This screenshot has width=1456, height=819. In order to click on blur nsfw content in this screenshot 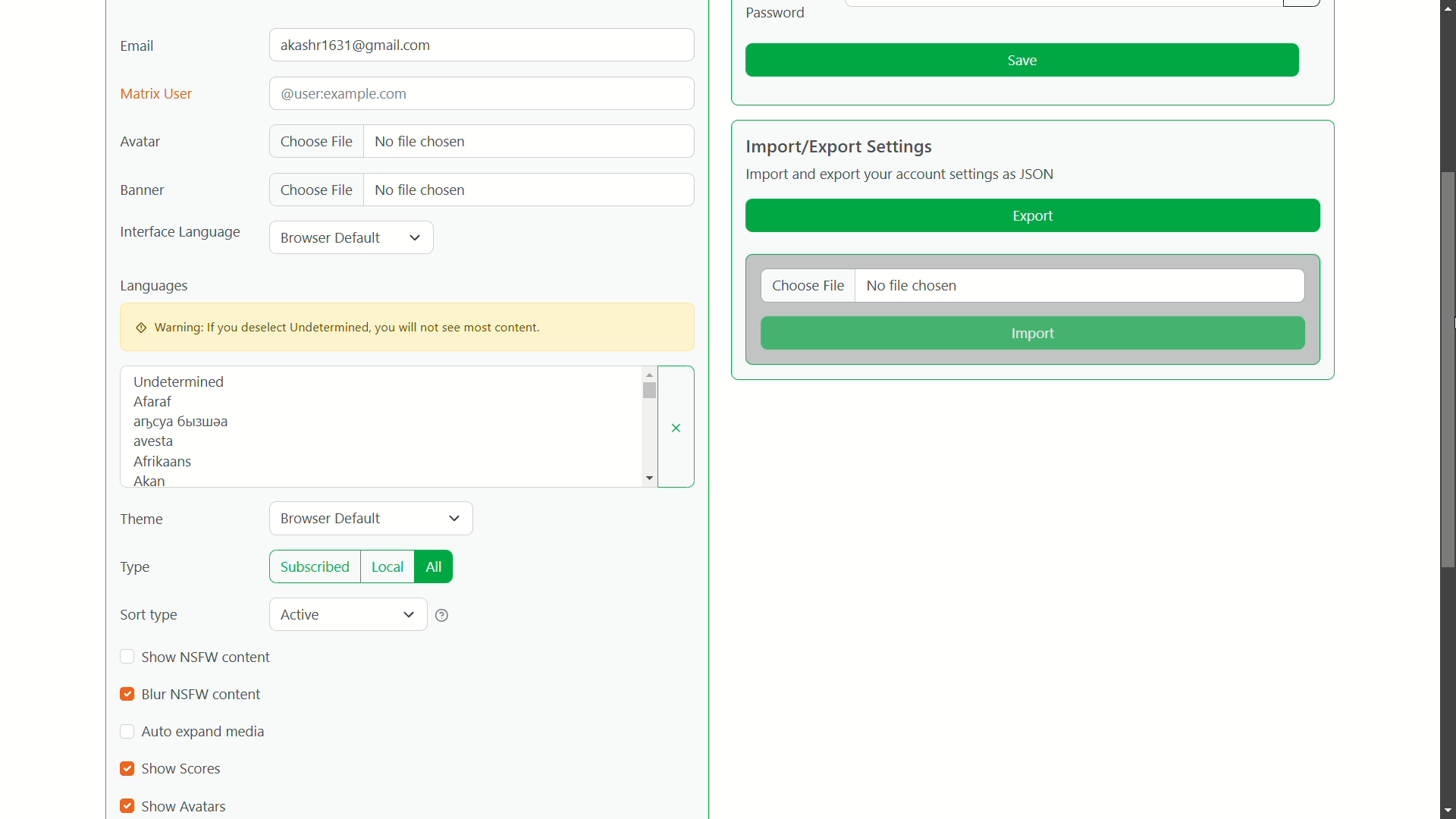, I will do `click(202, 696)`.